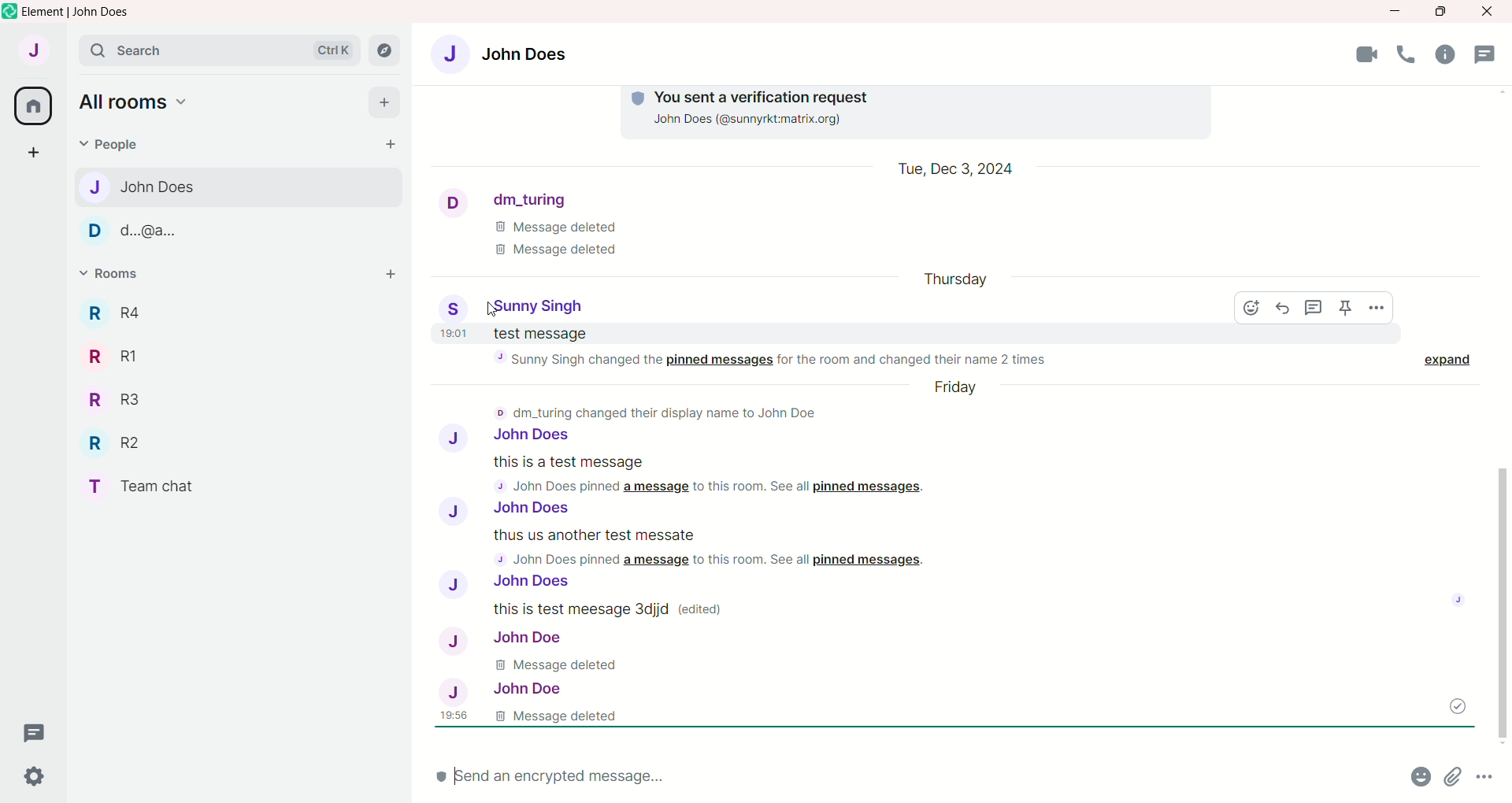 This screenshot has height=803, width=1512. I want to click on all rooms, so click(134, 103).